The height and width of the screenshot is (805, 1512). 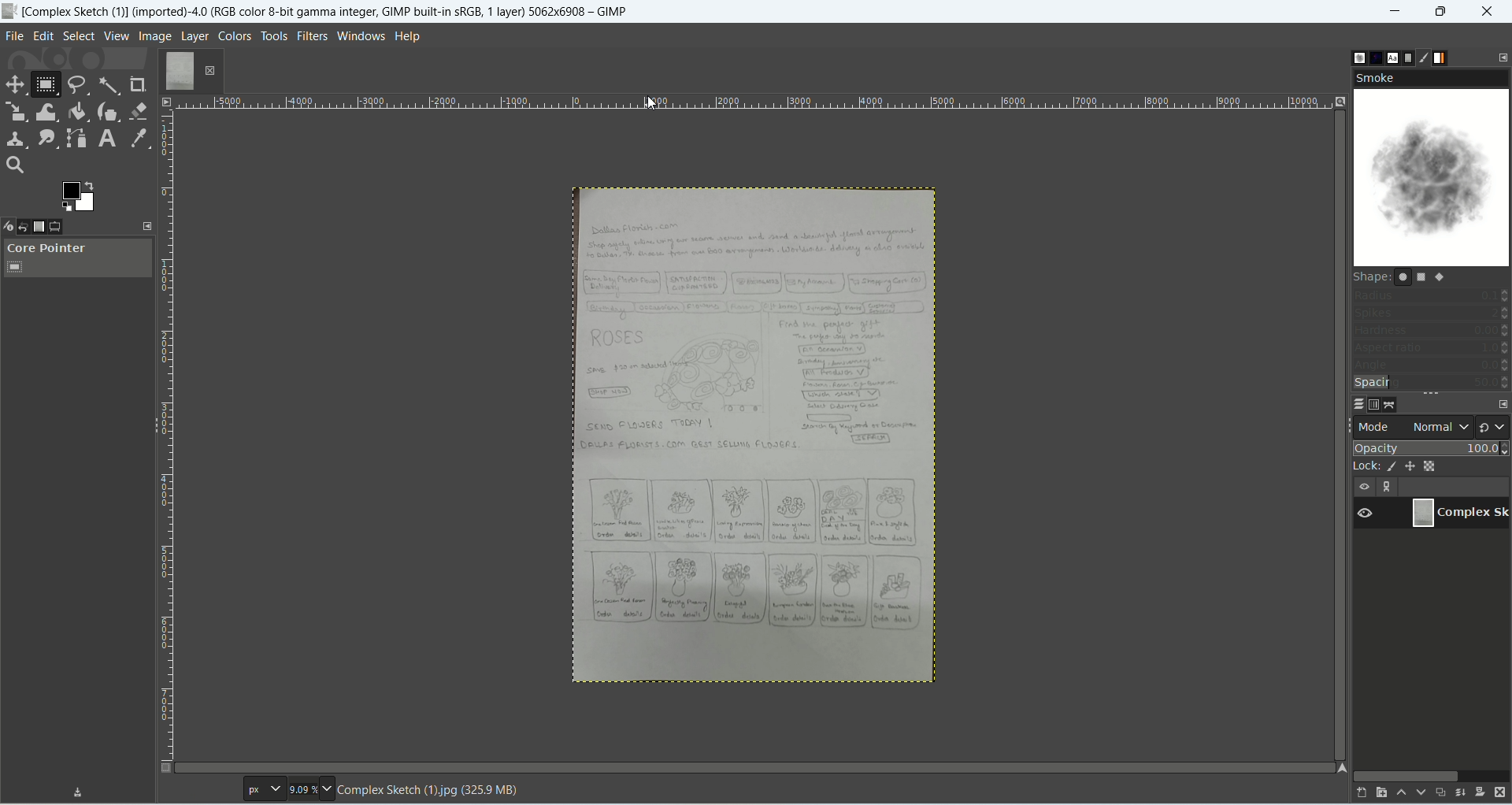 What do you see at coordinates (1459, 514) in the screenshot?
I see `image` at bounding box center [1459, 514].